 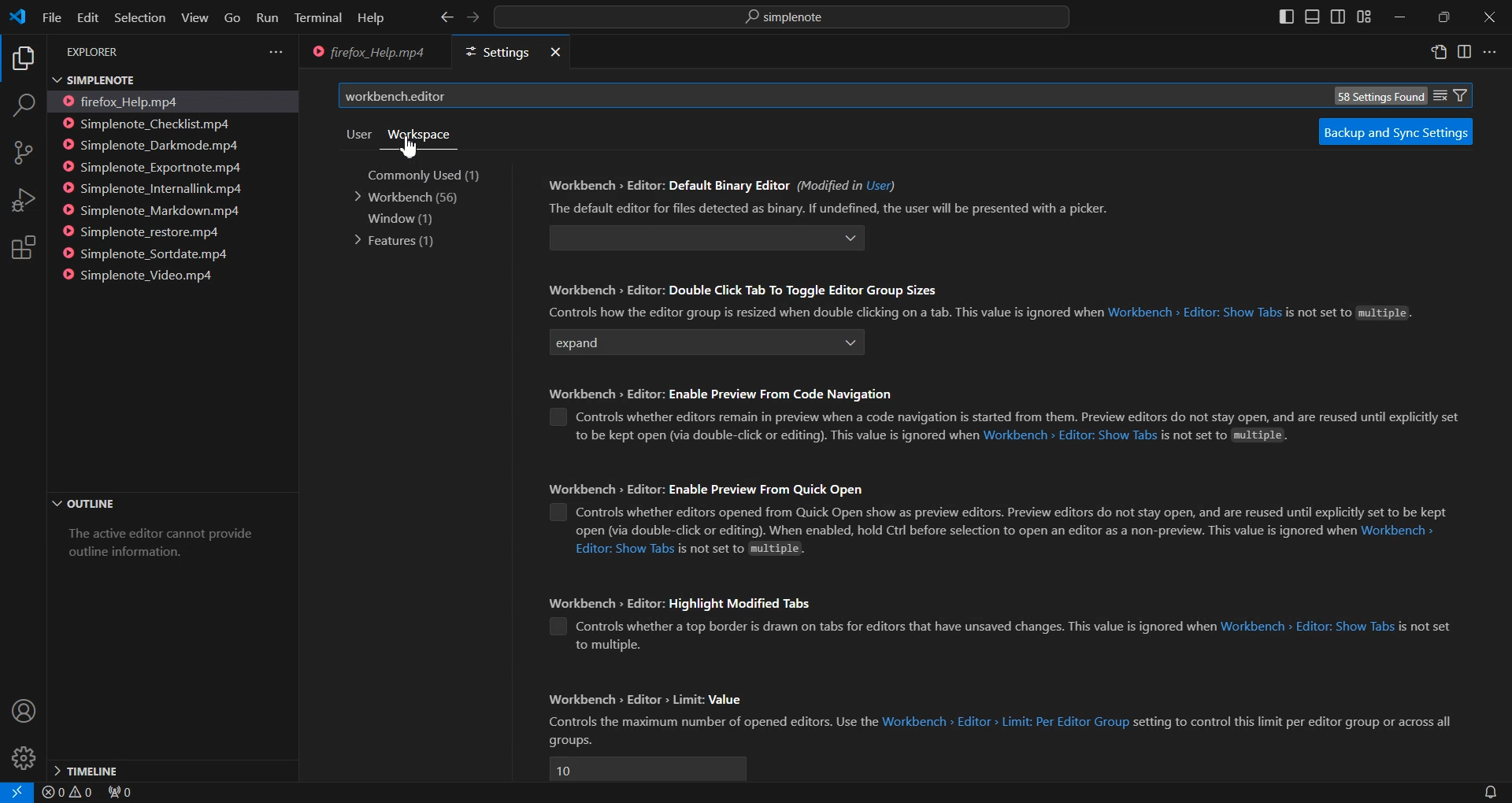 What do you see at coordinates (1349, 316) in the screenshot?
I see `is not to set multiple` at bounding box center [1349, 316].